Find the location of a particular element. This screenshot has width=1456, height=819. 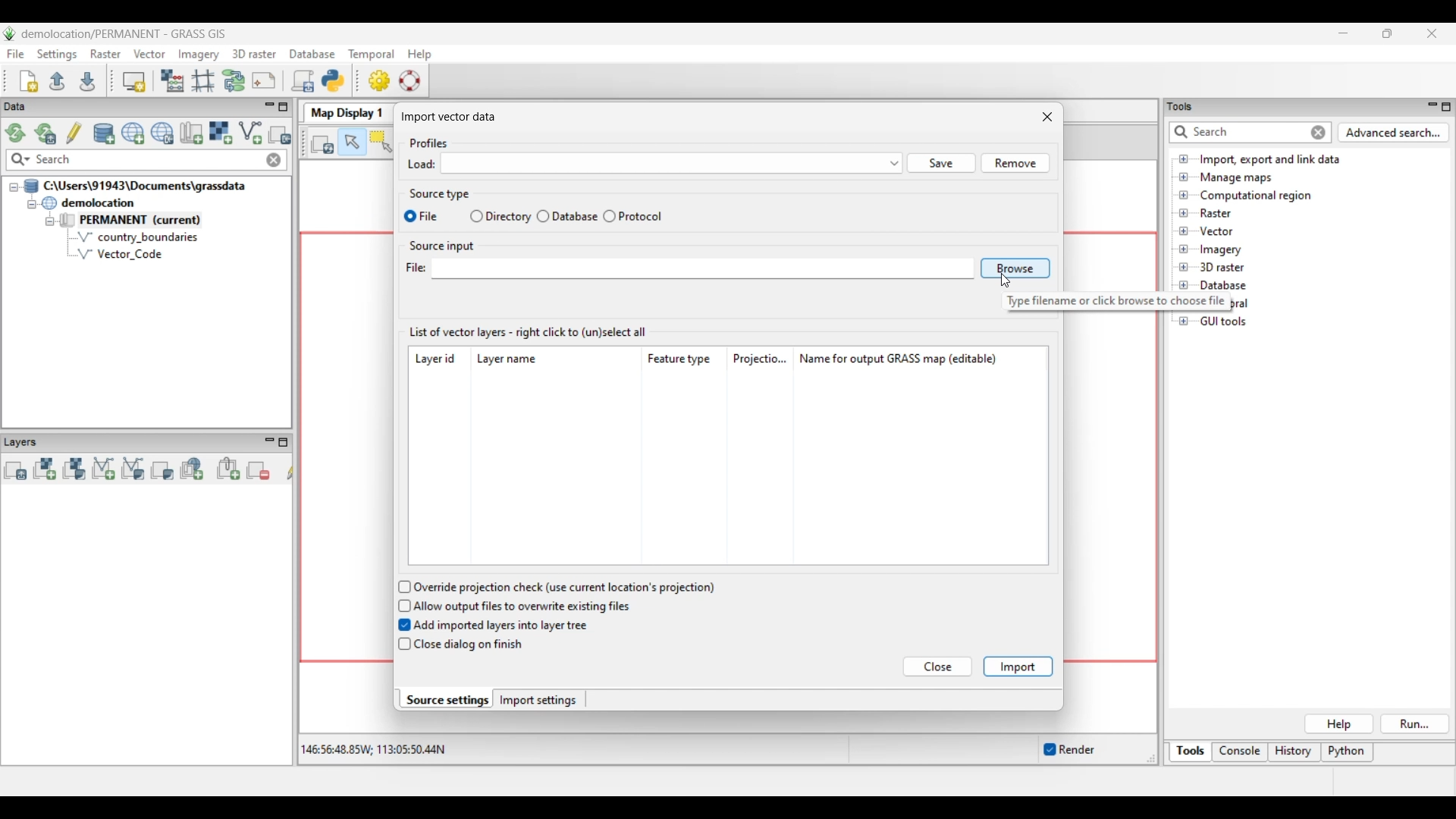

Layers is located at coordinates (24, 441).